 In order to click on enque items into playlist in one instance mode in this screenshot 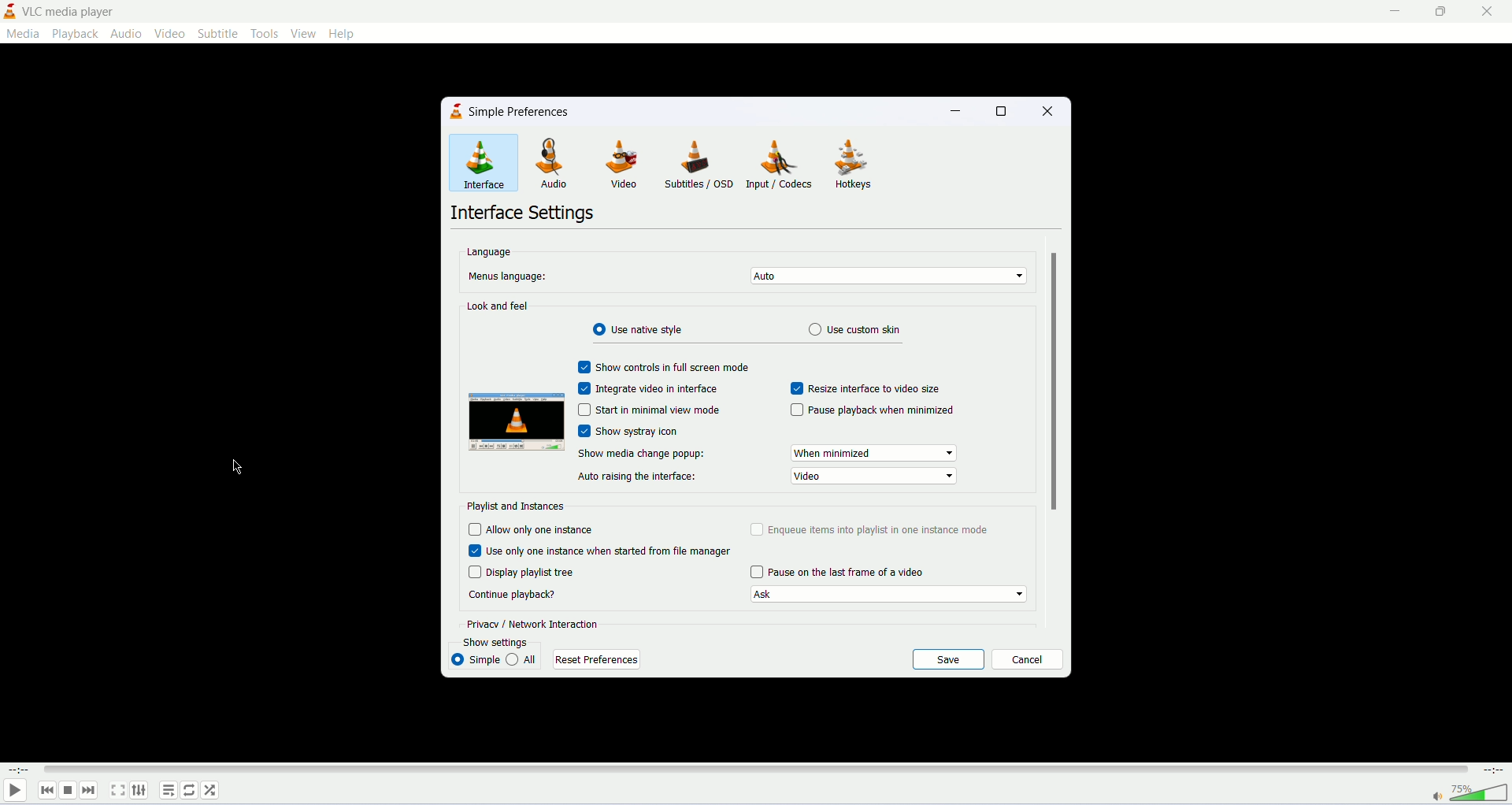, I will do `click(869, 529)`.